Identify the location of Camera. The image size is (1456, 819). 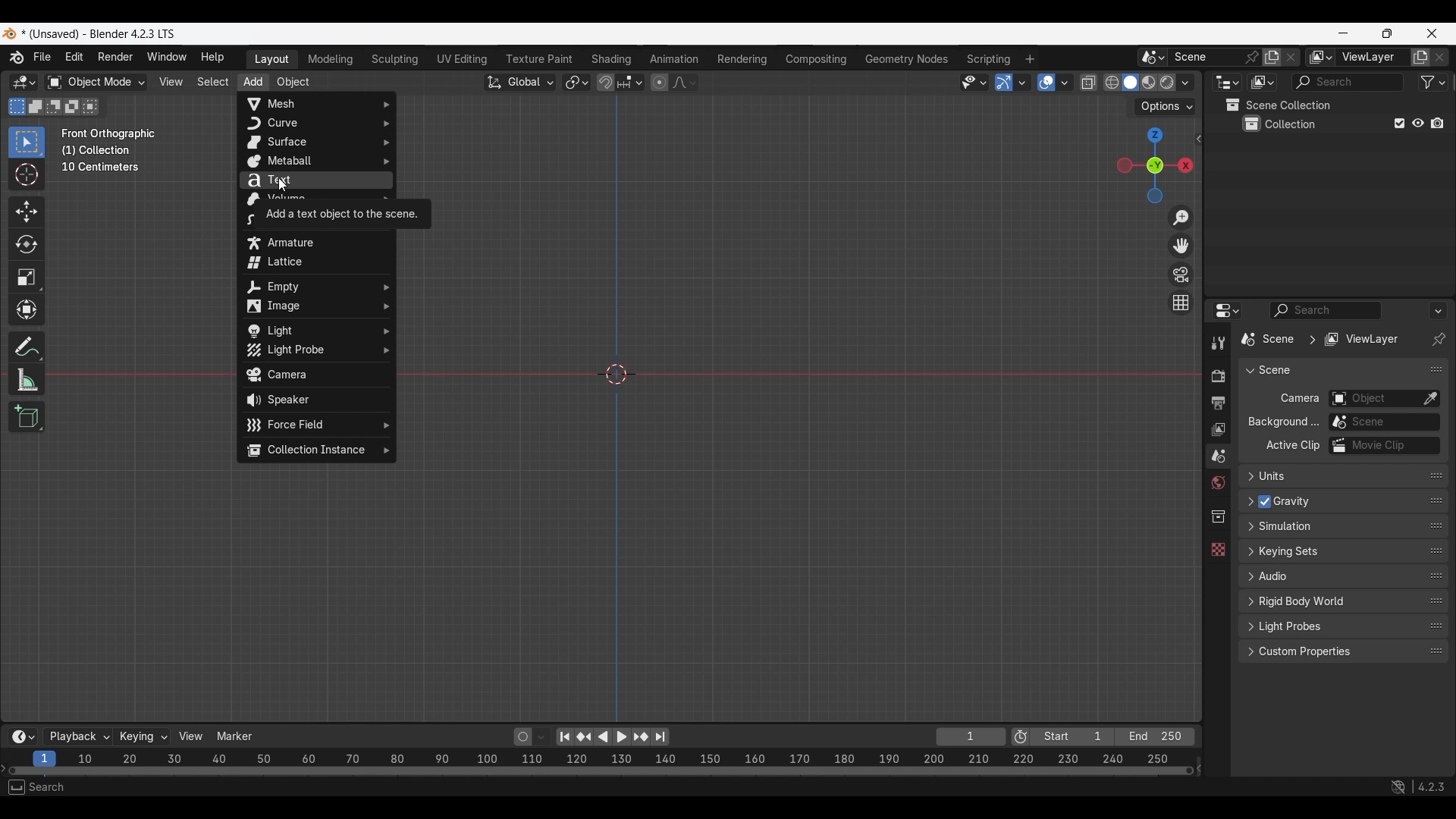
(1299, 398).